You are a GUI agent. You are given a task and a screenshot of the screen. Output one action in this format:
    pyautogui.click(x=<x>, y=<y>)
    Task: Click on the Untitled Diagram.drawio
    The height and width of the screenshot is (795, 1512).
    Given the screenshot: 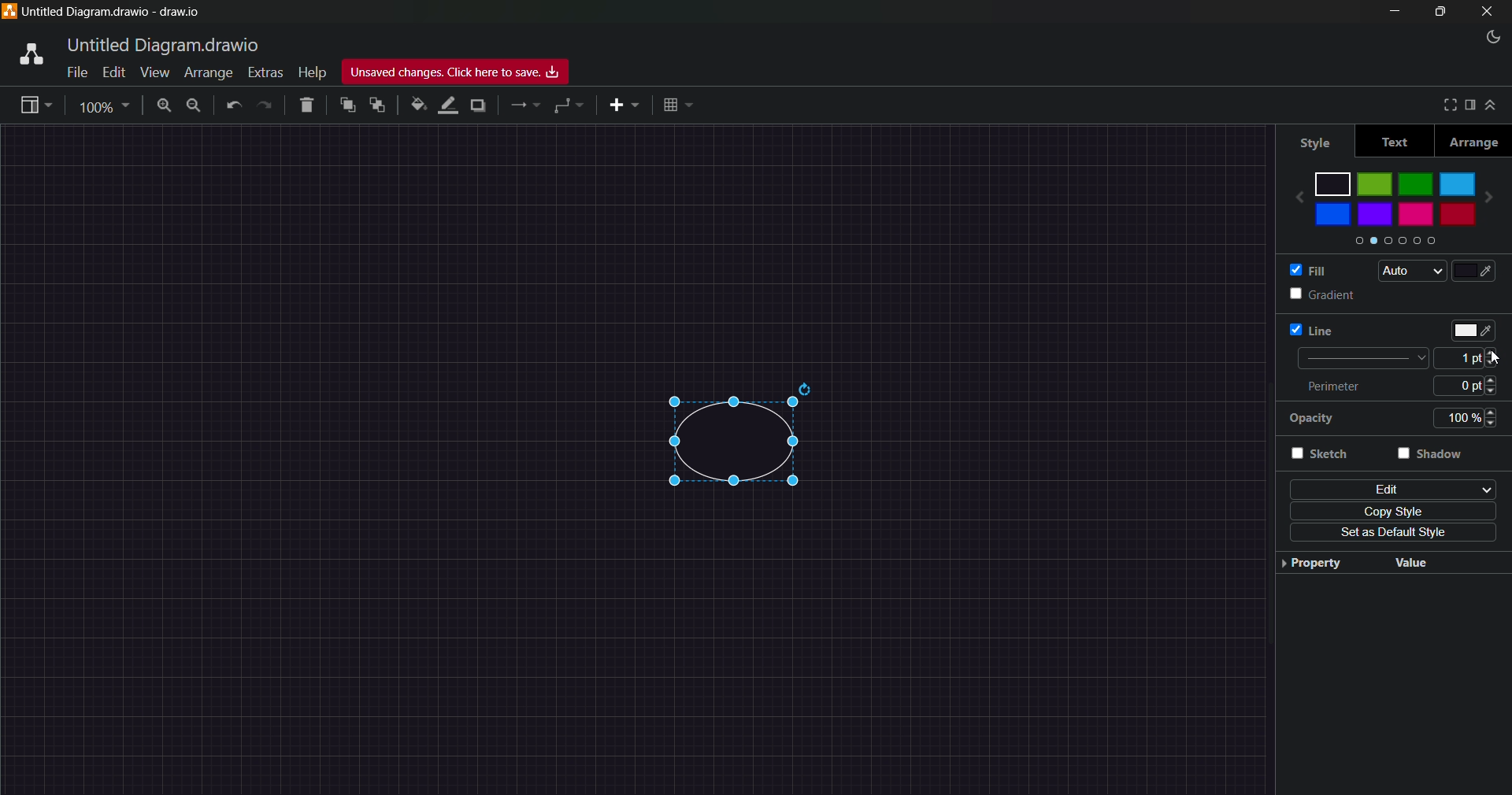 What is the action you would take?
    pyautogui.click(x=161, y=44)
    